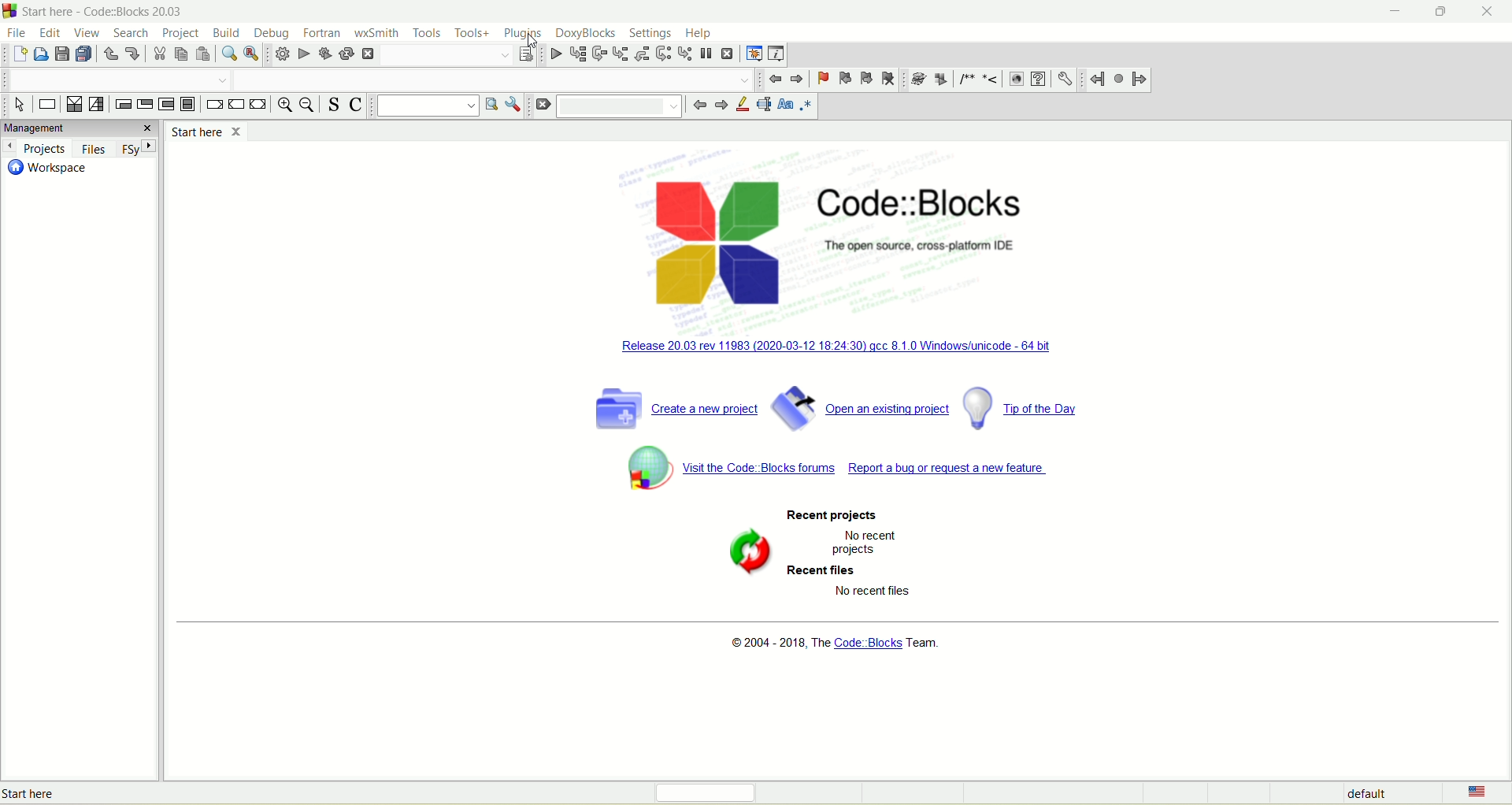  I want to click on cursor, so click(536, 43).